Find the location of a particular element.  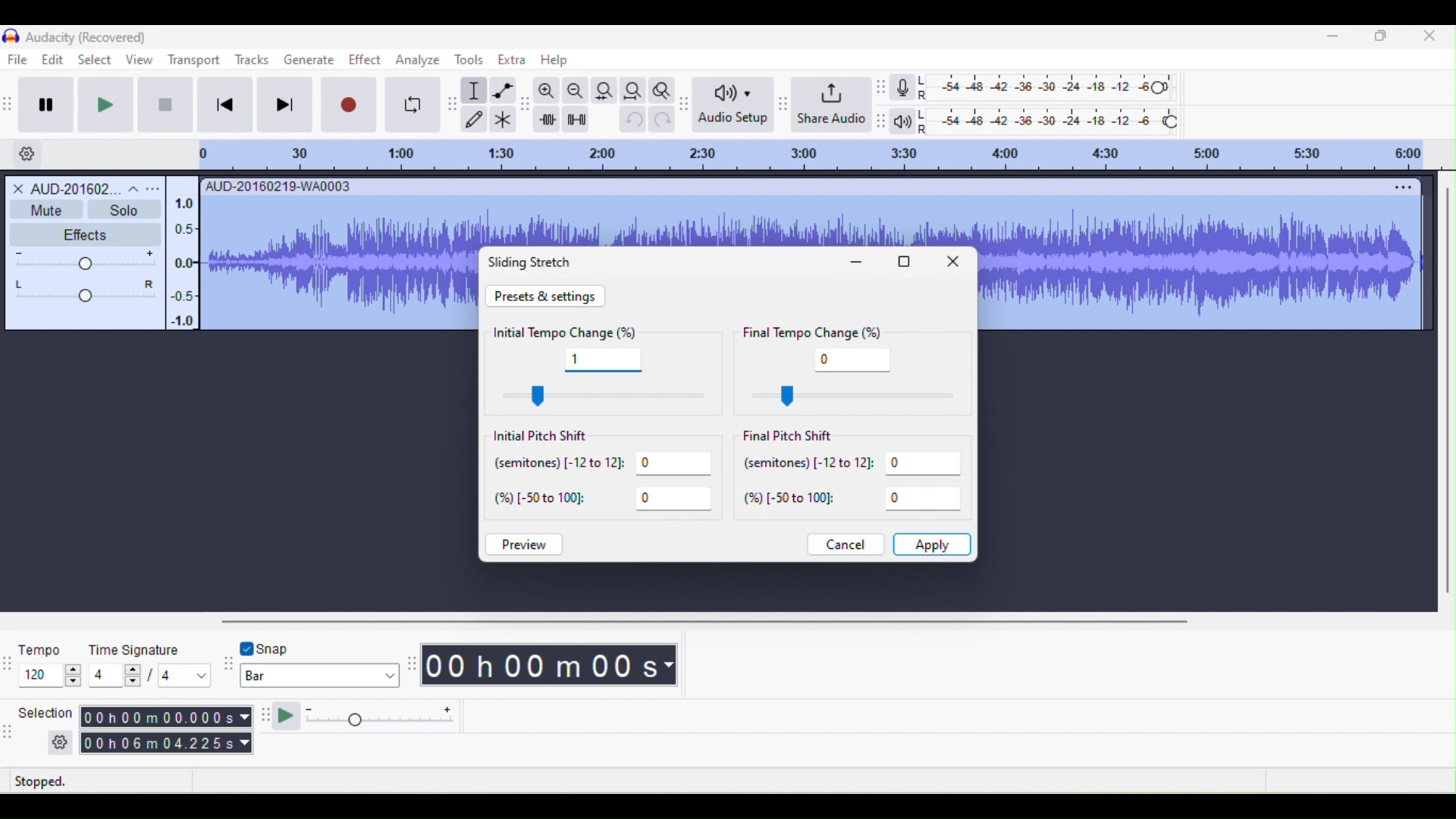

semitones is located at coordinates (854, 467).